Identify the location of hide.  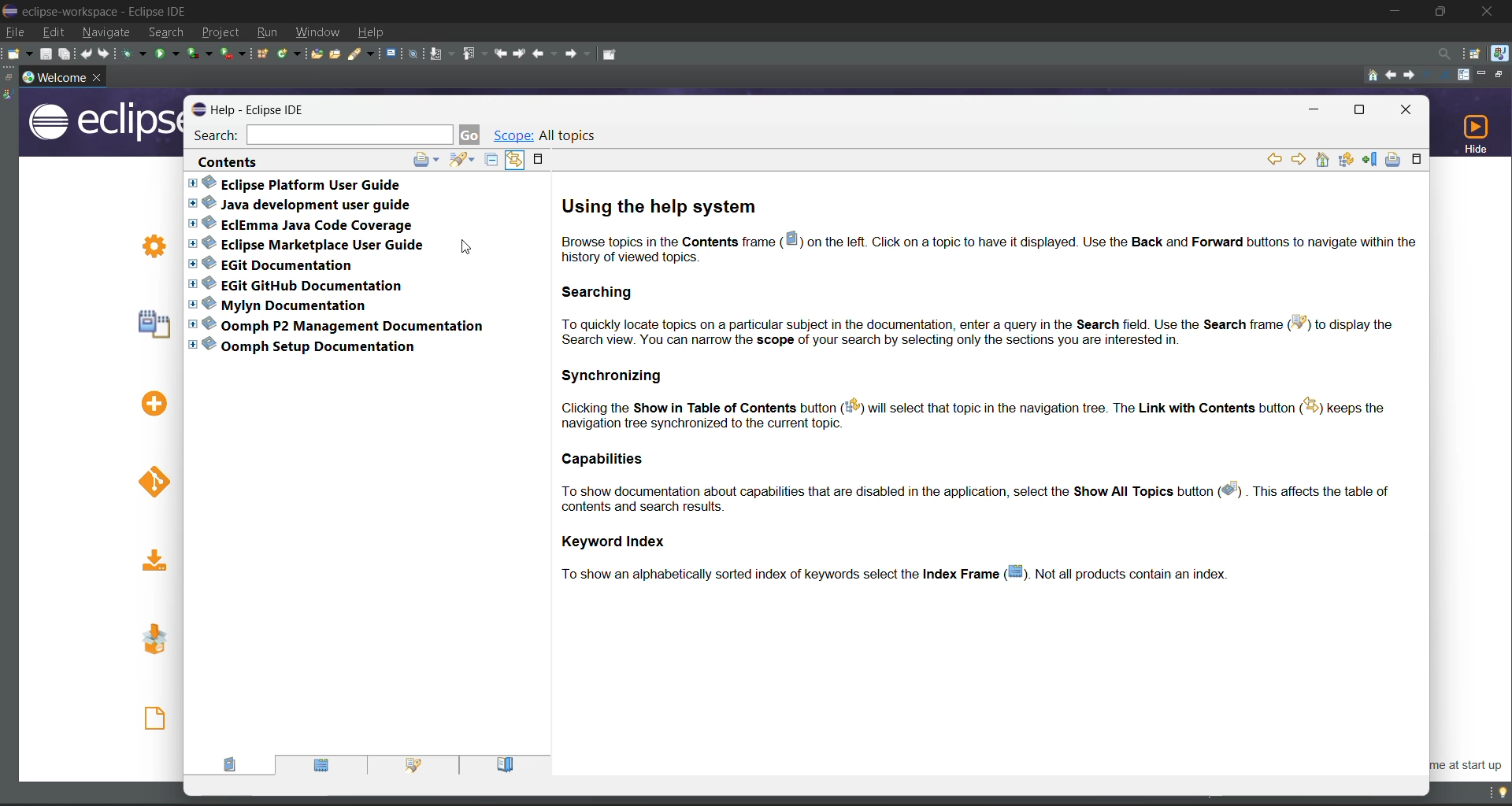
(1473, 132).